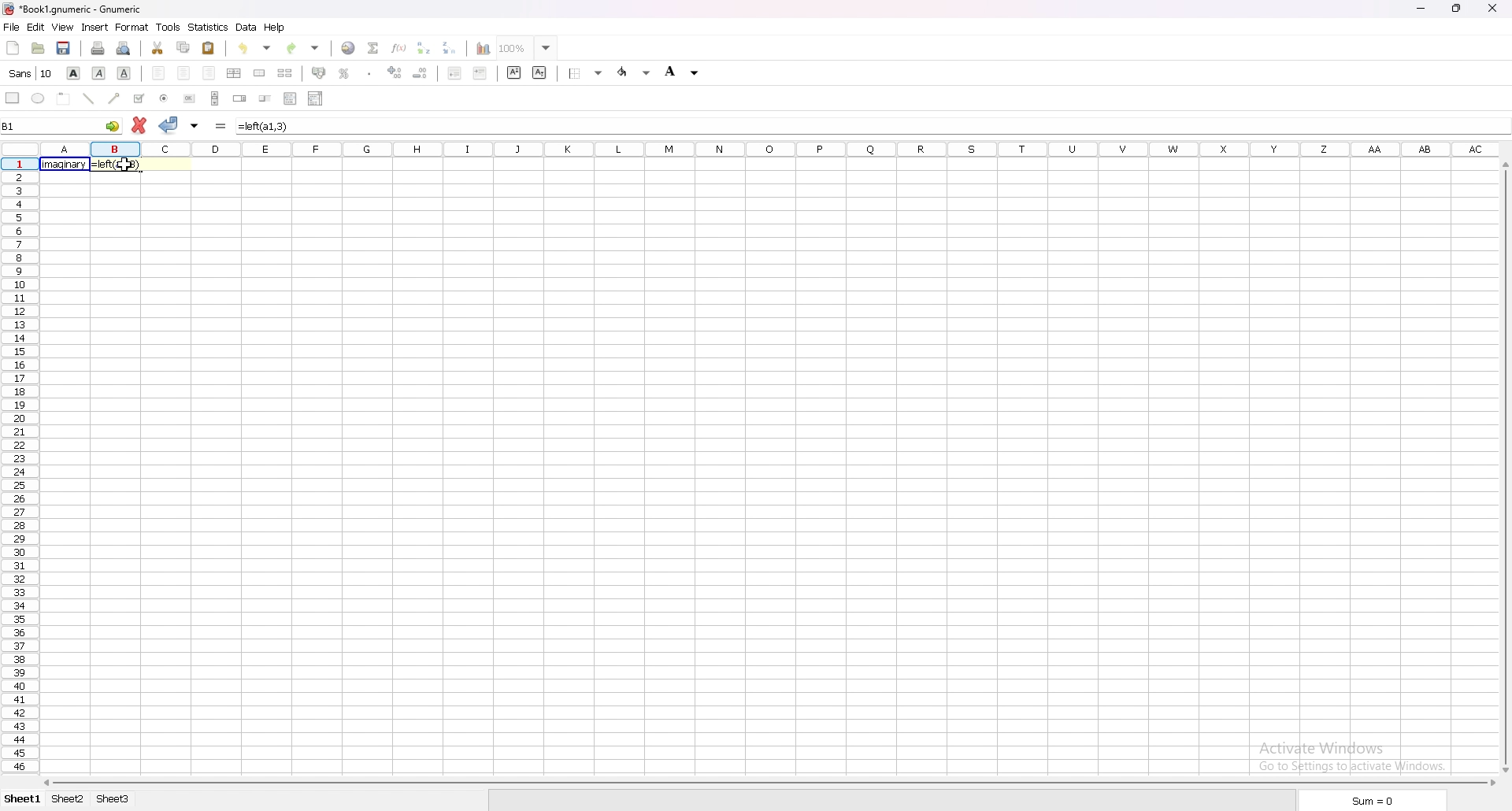 The height and width of the screenshot is (811, 1512). Describe the element at coordinates (1373, 800) in the screenshot. I see `sum` at that location.